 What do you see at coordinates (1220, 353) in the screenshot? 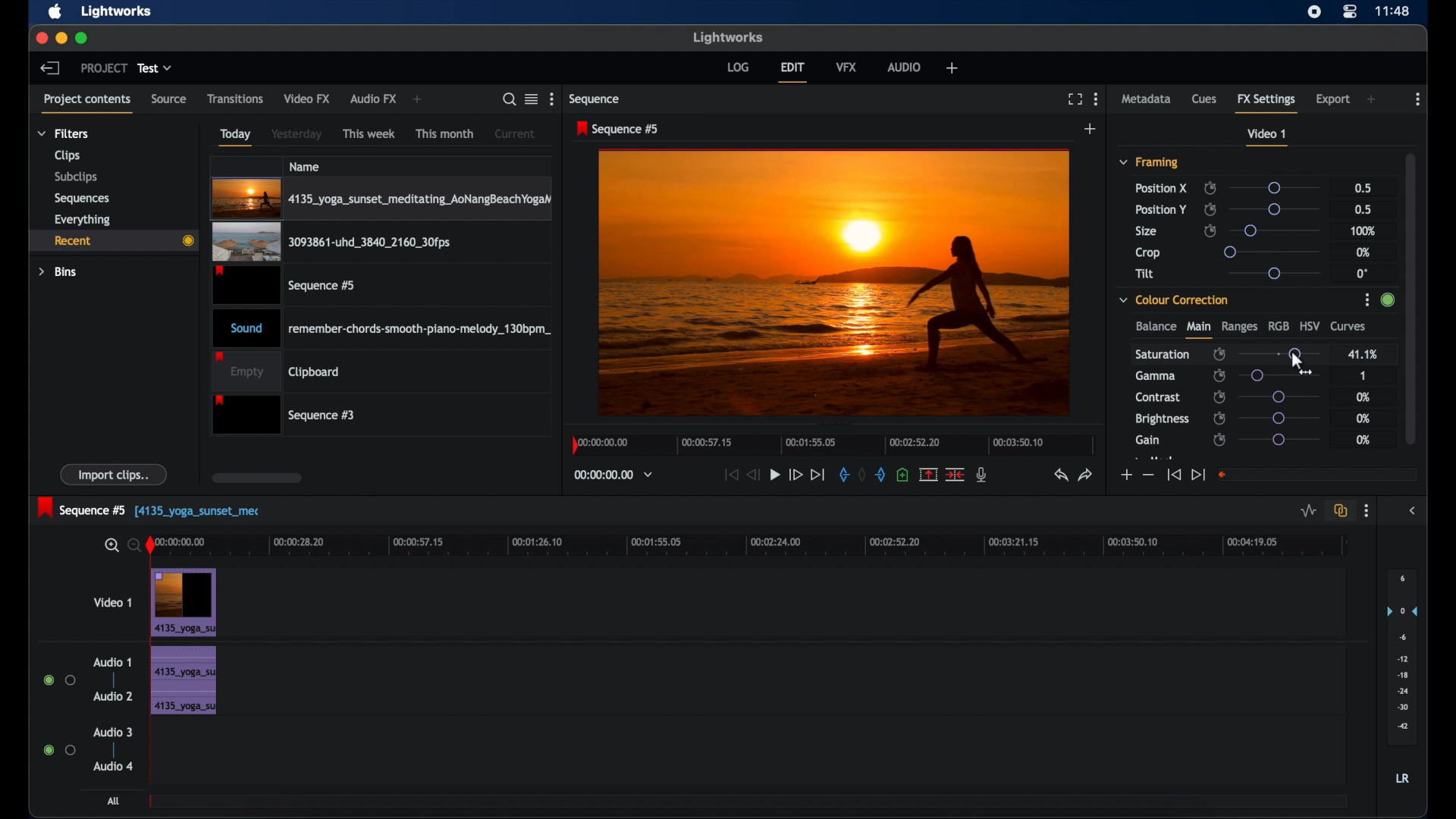
I see `enable/disbale keyframes` at bounding box center [1220, 353].